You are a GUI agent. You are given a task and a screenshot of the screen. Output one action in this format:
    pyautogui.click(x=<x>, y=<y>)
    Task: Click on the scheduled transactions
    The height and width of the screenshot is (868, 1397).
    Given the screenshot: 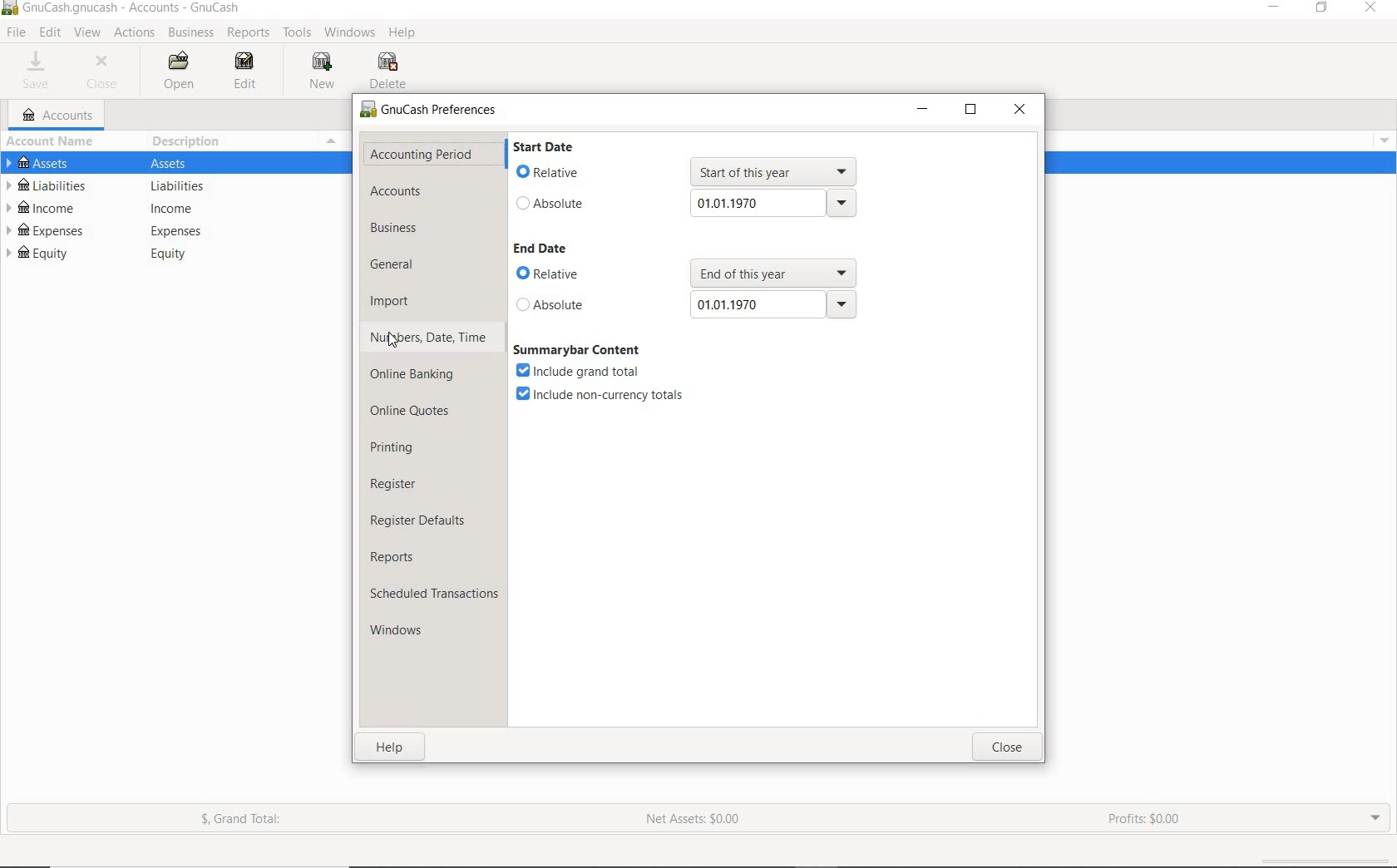 What is the action you would take?
    pyautogui.click(x=433, y=593)
    